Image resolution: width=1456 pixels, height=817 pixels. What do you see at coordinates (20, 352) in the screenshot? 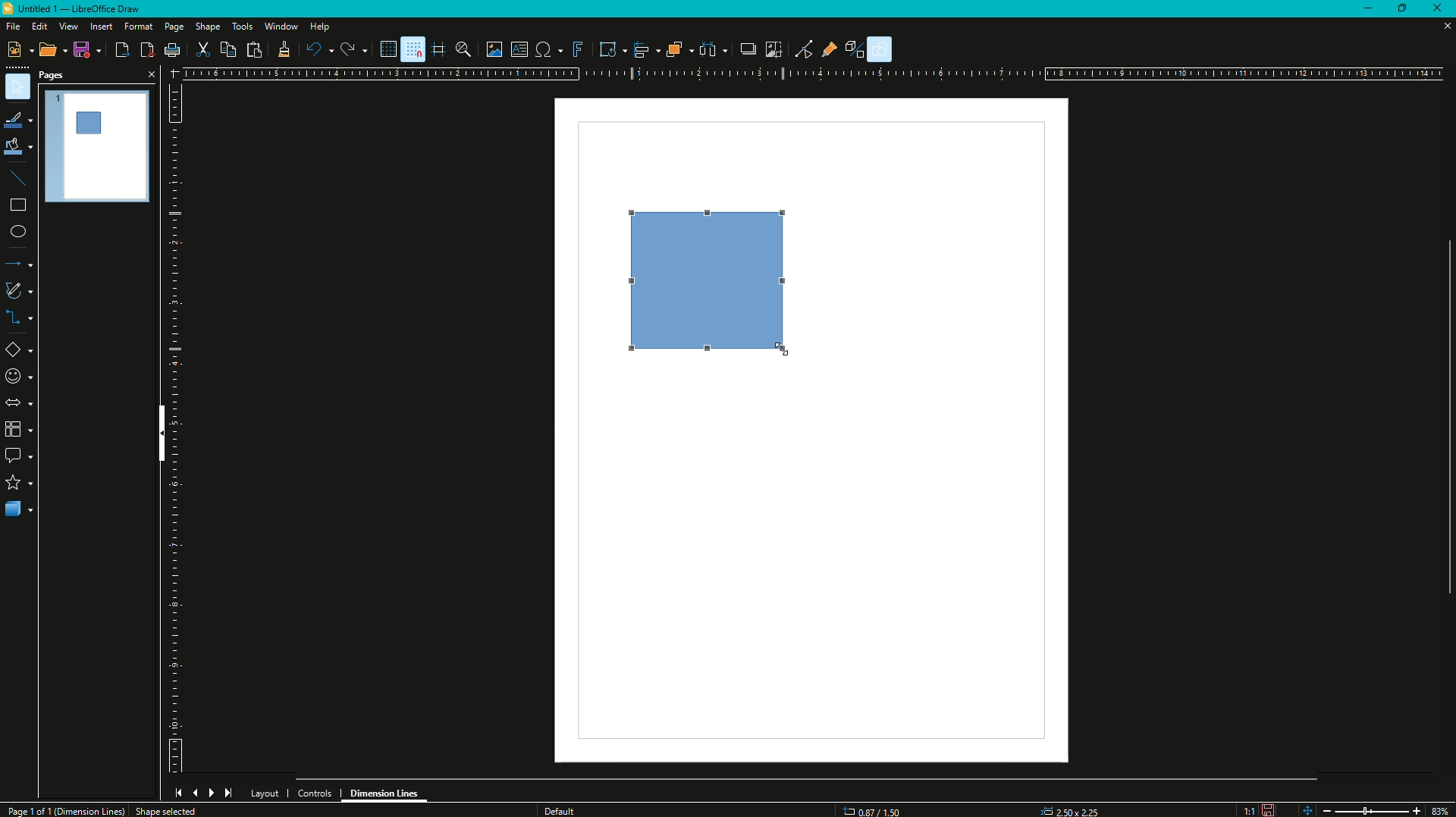
I see `Insert Shapes` at bounding box center [20, 352].